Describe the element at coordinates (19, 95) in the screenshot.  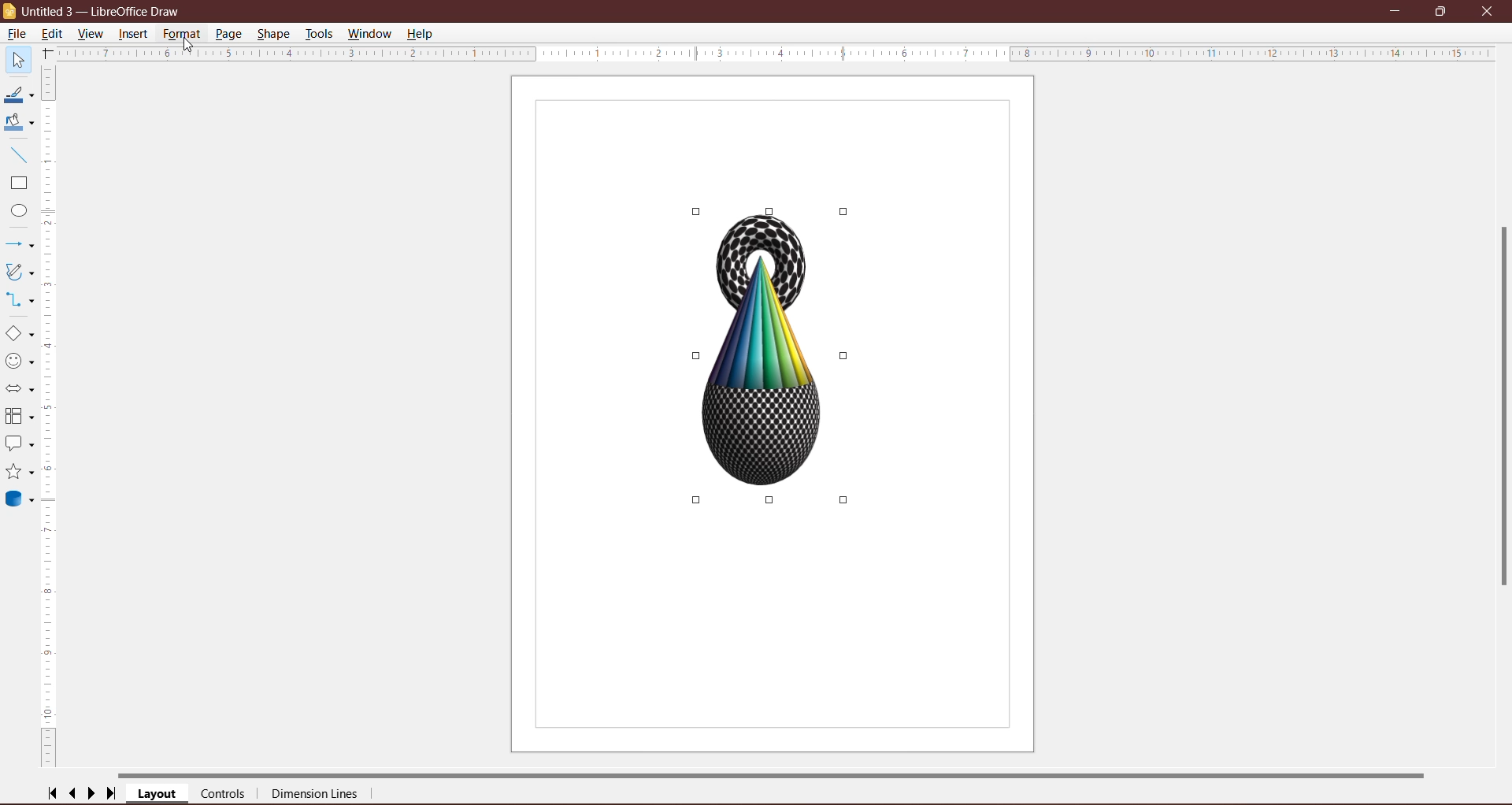
I see `Line Color` at that location.